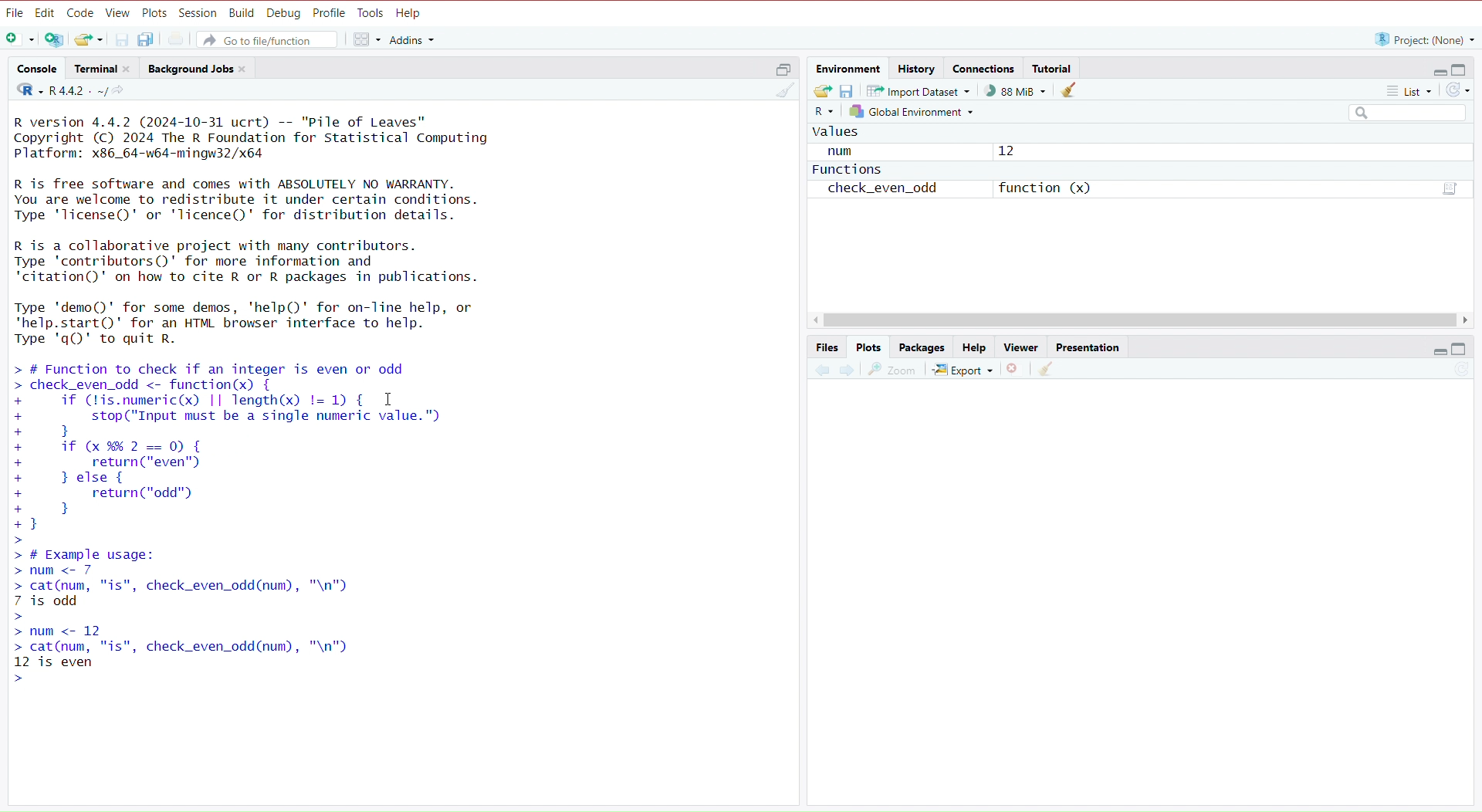 This screenshot has width=1482, height=812. I want to click on session, so click(198, 14).